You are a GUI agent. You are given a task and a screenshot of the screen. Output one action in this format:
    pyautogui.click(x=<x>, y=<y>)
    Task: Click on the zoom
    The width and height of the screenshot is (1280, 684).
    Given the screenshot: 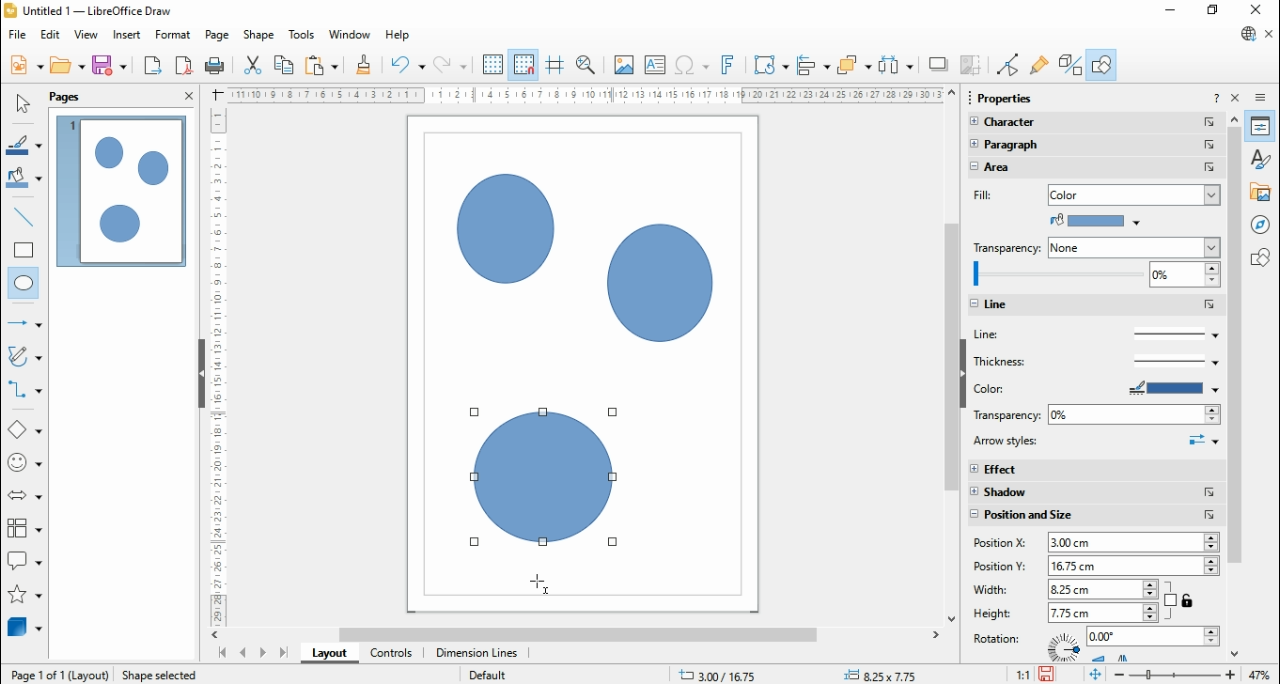 What is the action you would take?
    pyautogui.click(x=1094, y=277)
    